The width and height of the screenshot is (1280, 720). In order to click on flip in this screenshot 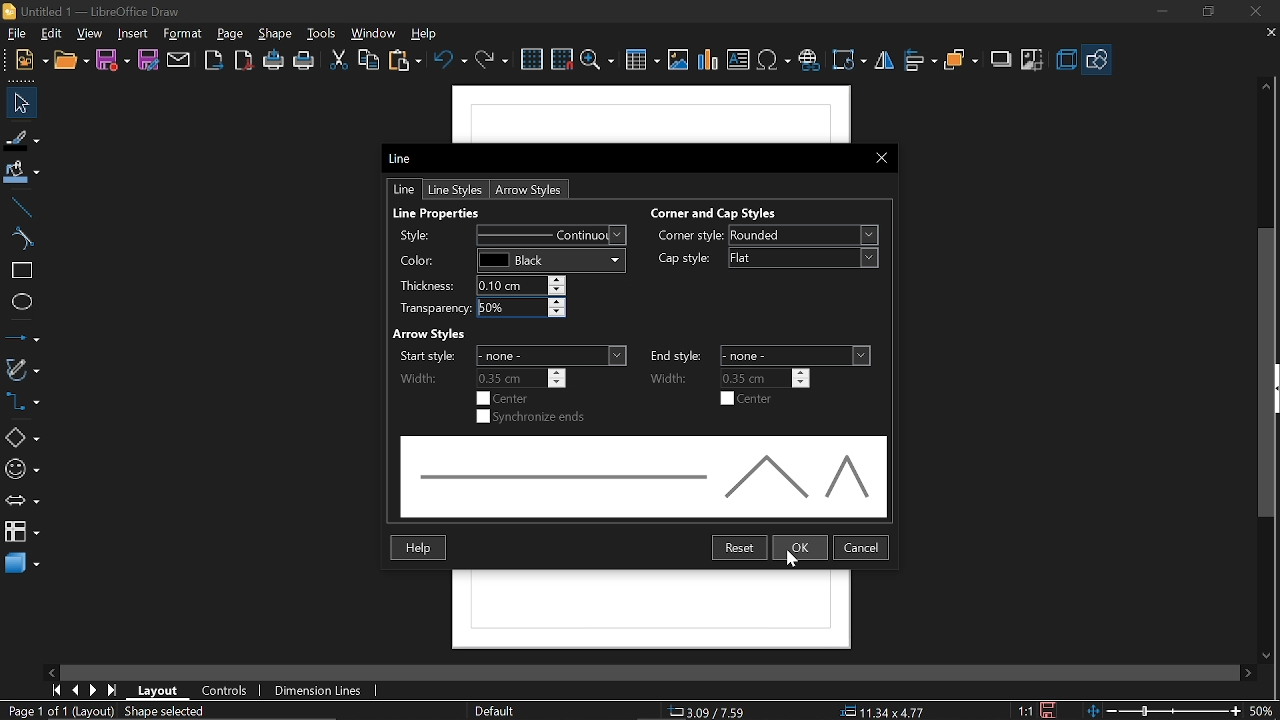, I will do `click(884, 61)`.